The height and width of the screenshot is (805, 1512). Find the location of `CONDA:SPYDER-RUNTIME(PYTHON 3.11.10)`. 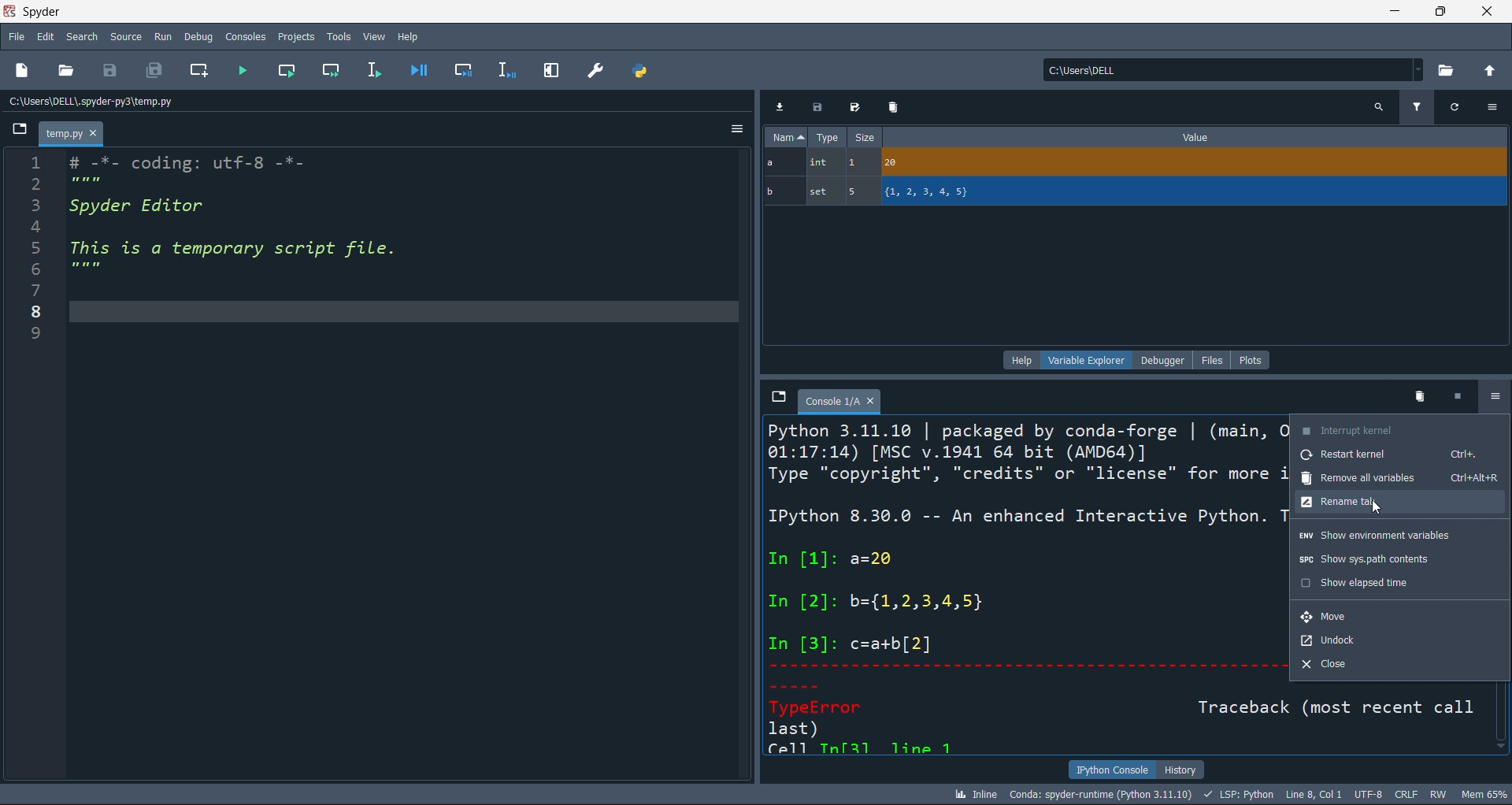

CONDA:SPYDER-RUNTIME(PYTHON 3.11.10) is located at coordinates (1099, 793).